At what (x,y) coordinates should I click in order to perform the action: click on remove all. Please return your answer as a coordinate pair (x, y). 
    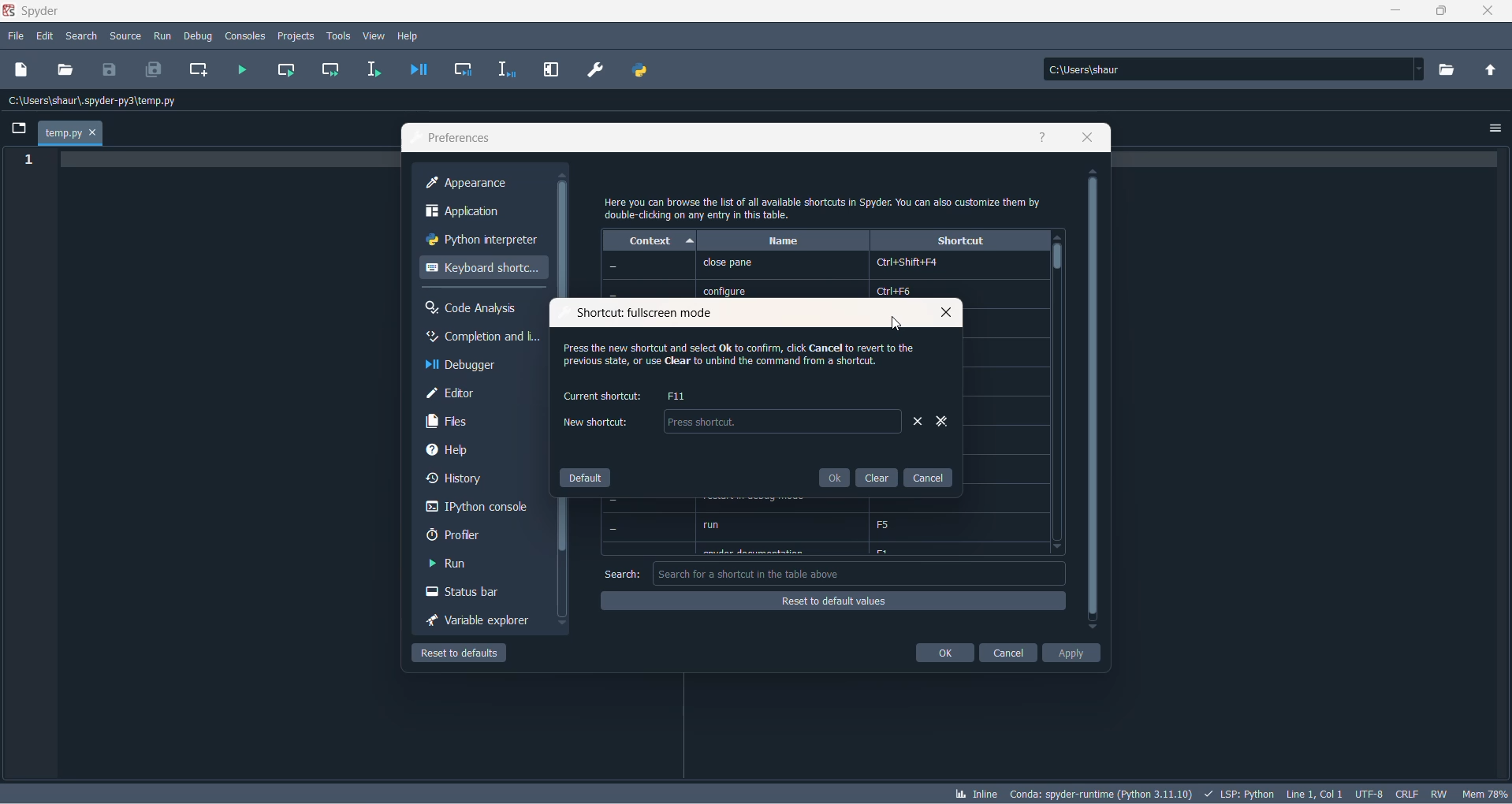
    Looking at the image, I should click on (947, 422).